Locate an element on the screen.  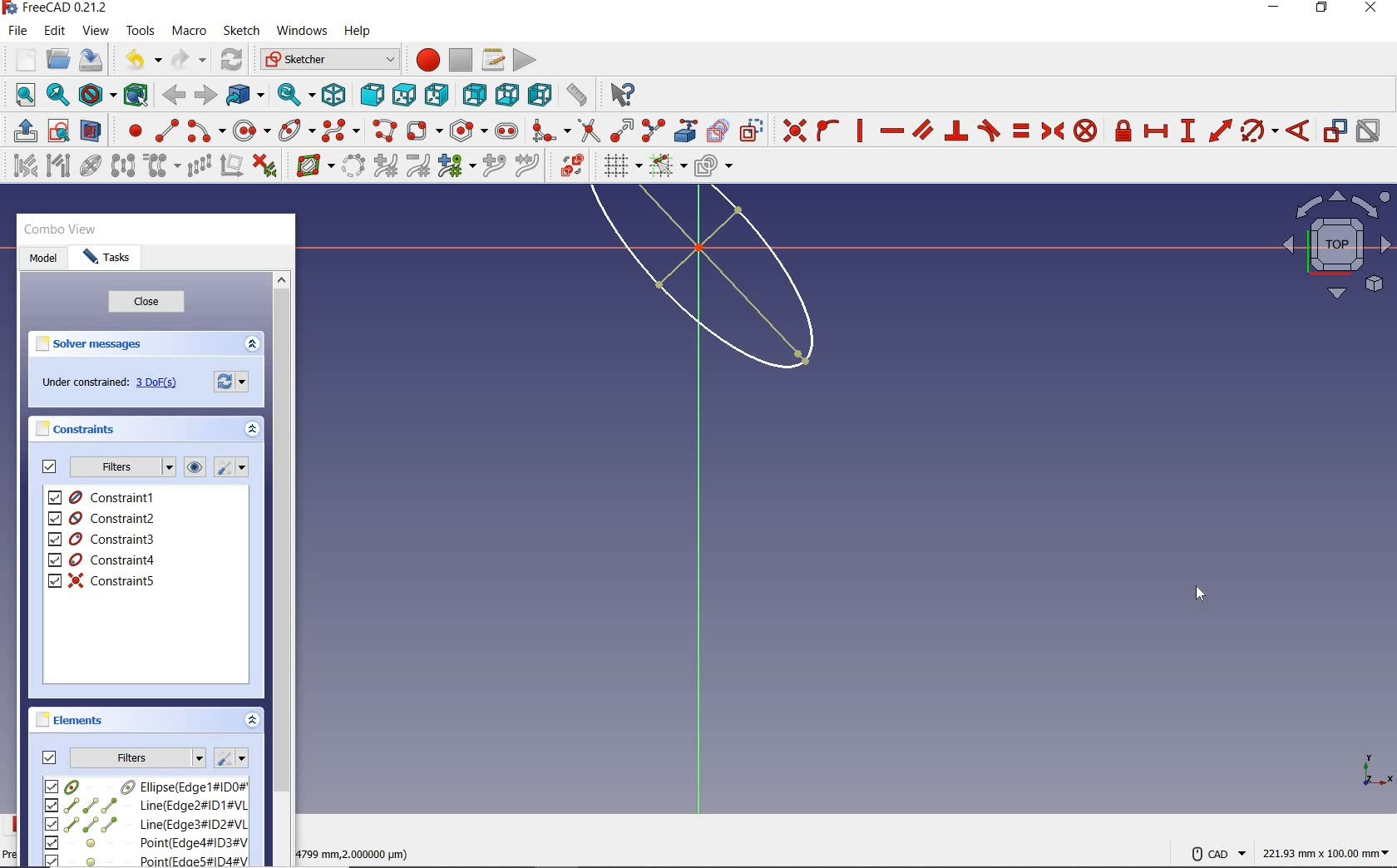
constrain angle is located at coordinates (1298, 130).